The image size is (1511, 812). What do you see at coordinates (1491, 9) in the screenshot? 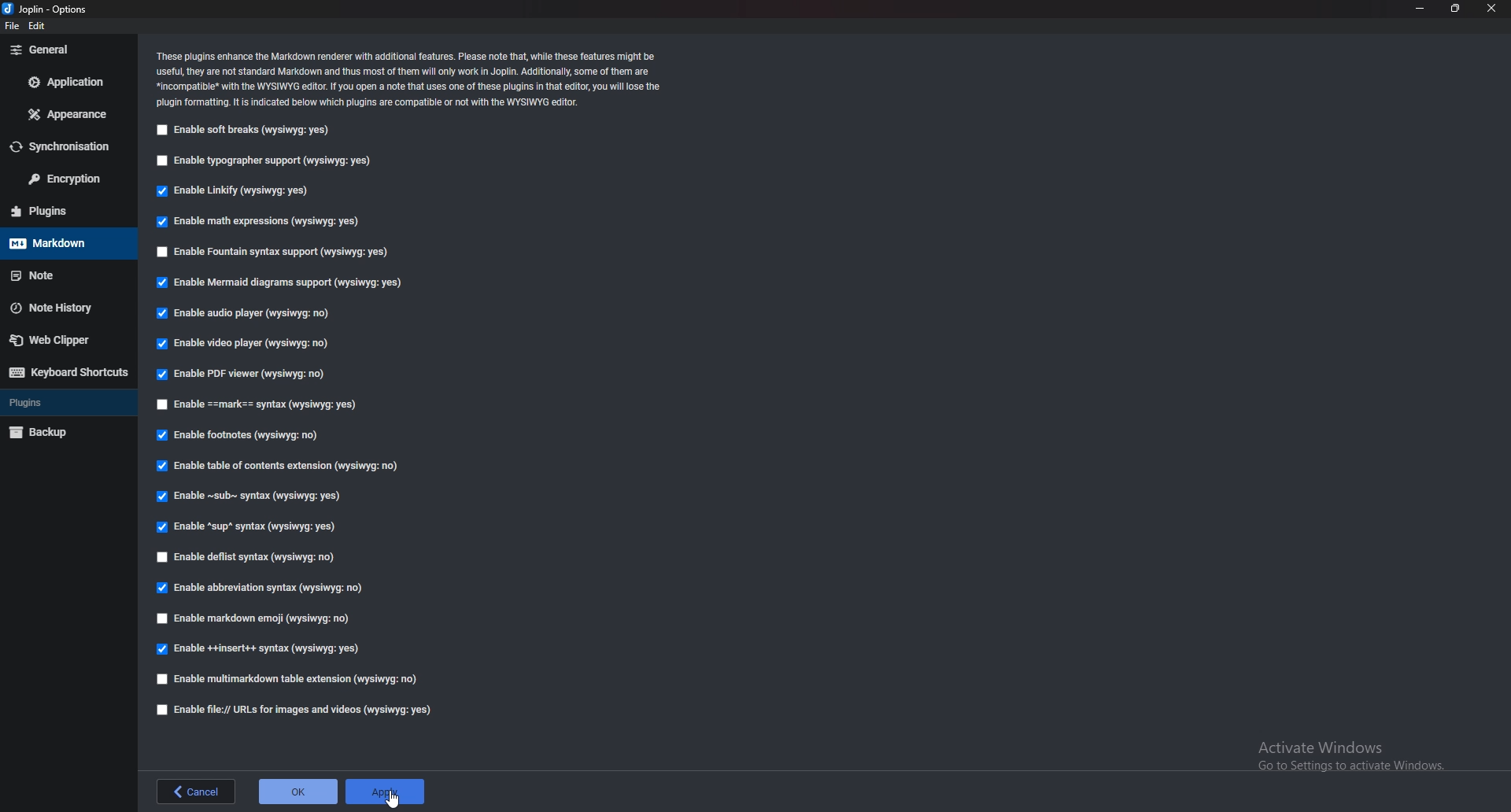
I see `close` at bounding box center [1491, 9].